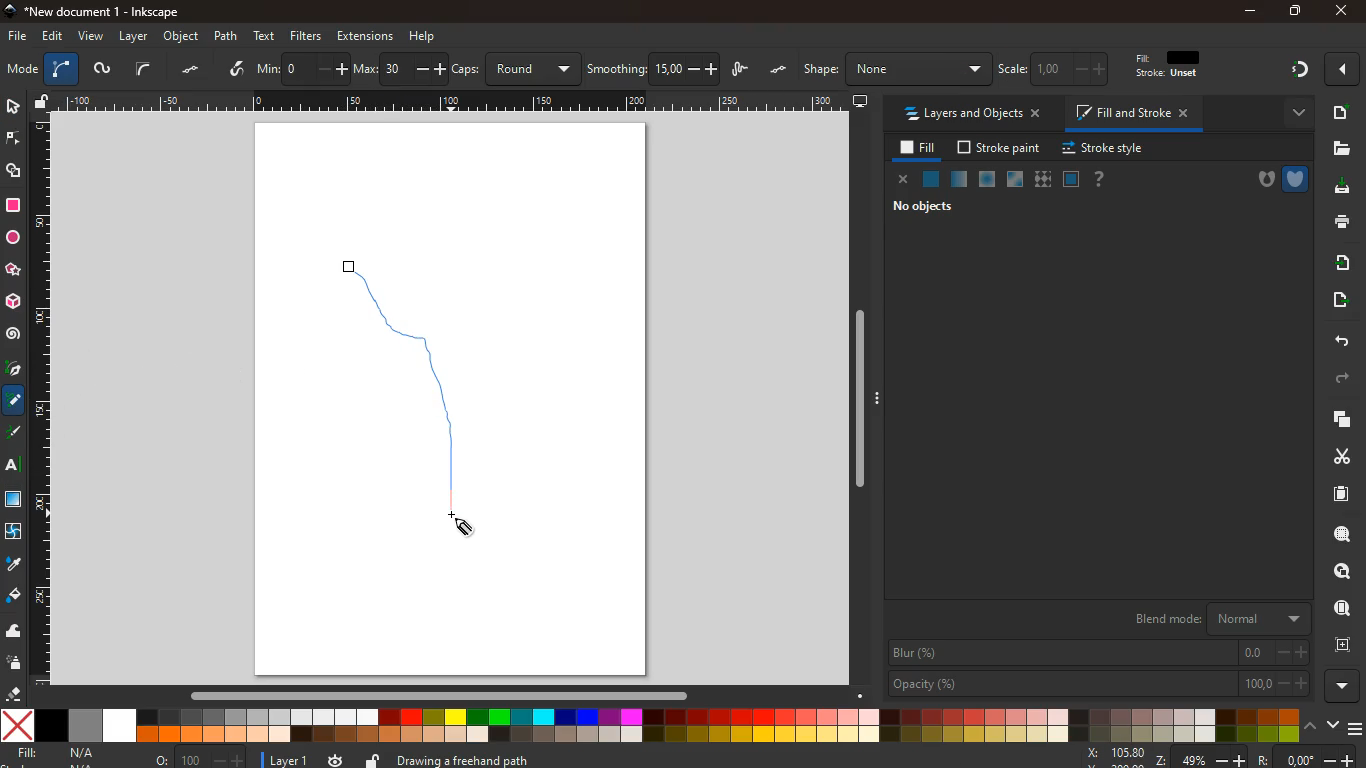  Describe the element at coordinates (1338, 534) in the screenshot. I see `search` at that location.